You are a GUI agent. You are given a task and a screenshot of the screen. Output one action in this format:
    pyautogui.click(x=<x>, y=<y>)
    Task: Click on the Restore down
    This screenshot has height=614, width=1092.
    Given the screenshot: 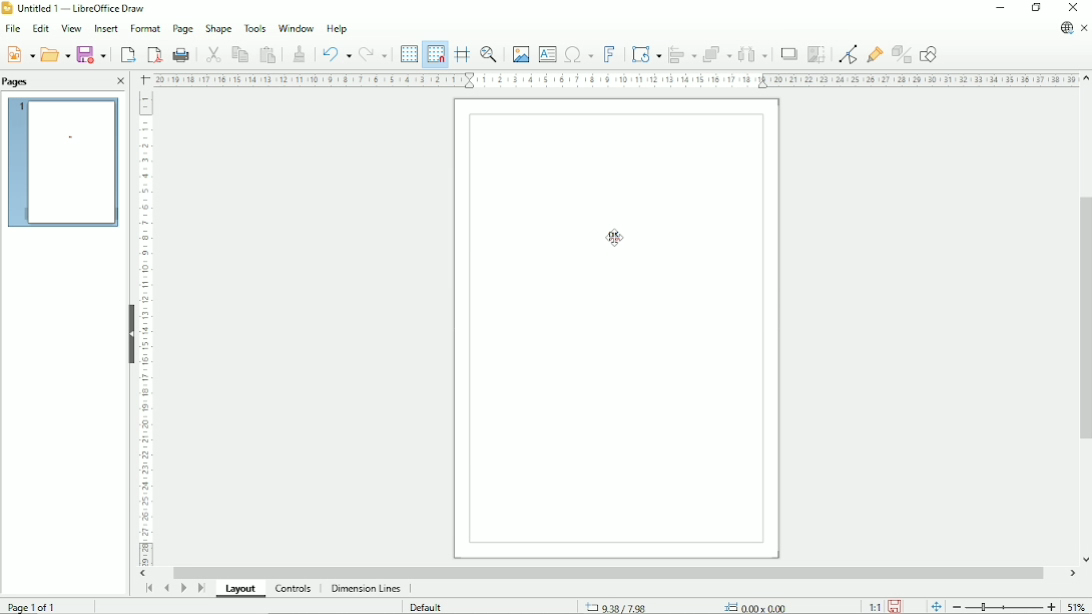 What is the action you would take?
    pyautogui.click(x=1036, y=7)
    